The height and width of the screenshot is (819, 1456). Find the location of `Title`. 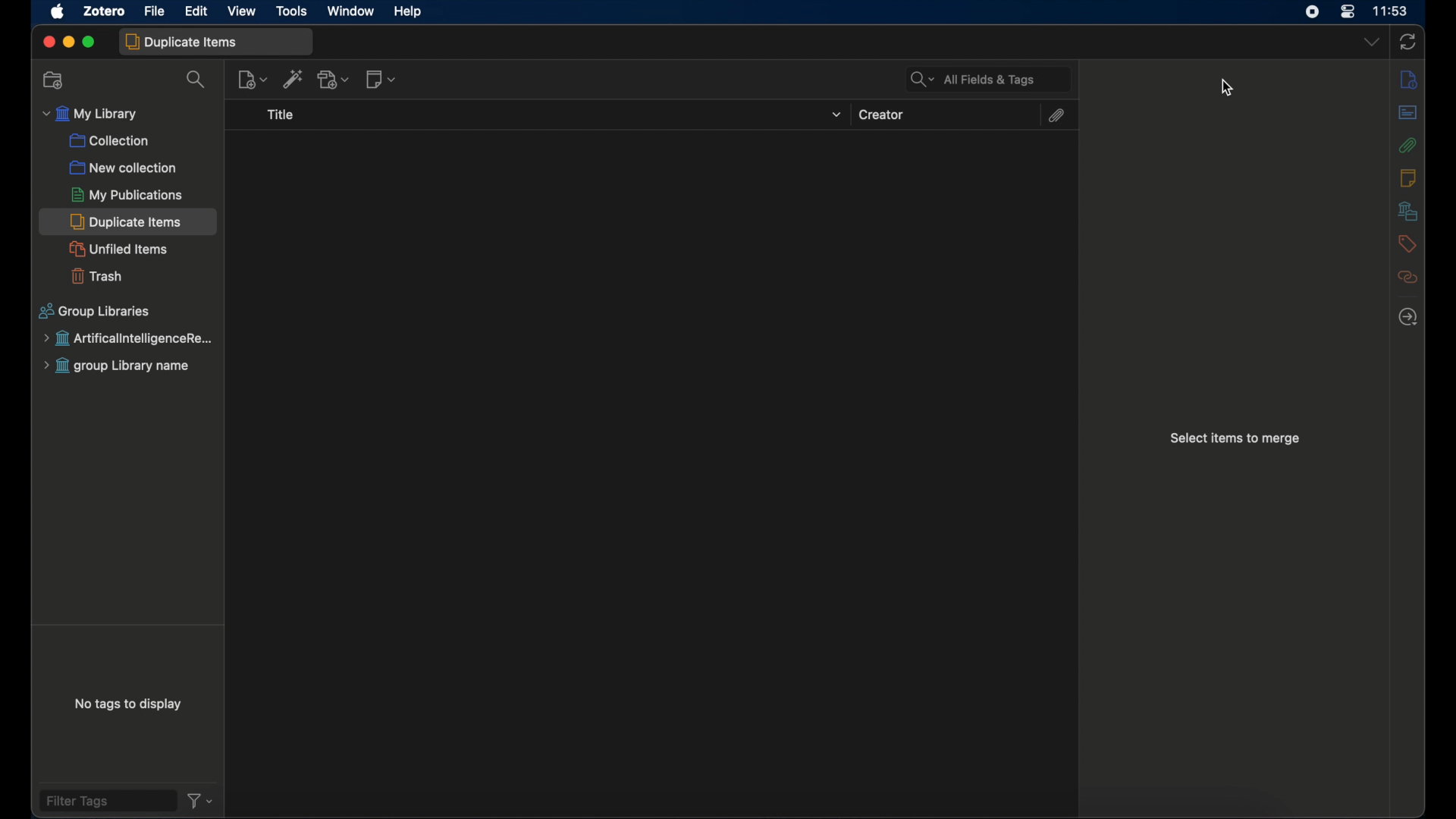

Title is located at coordinates (289, 115).